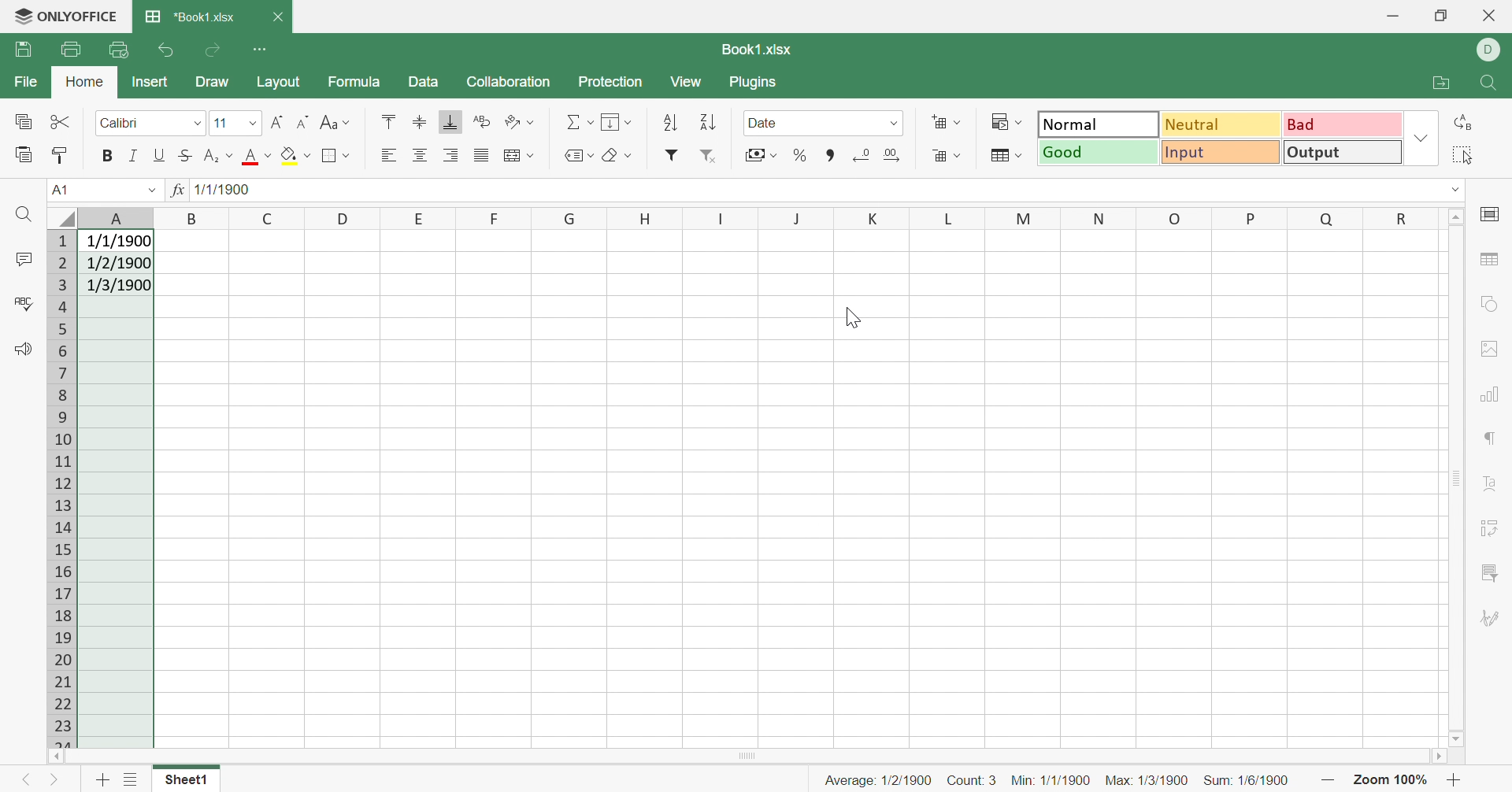 This screenshot has width=1512, height=792. Describe the element at coordinates (577, 156) in the screenshot. I see `Named ranges` at that location.